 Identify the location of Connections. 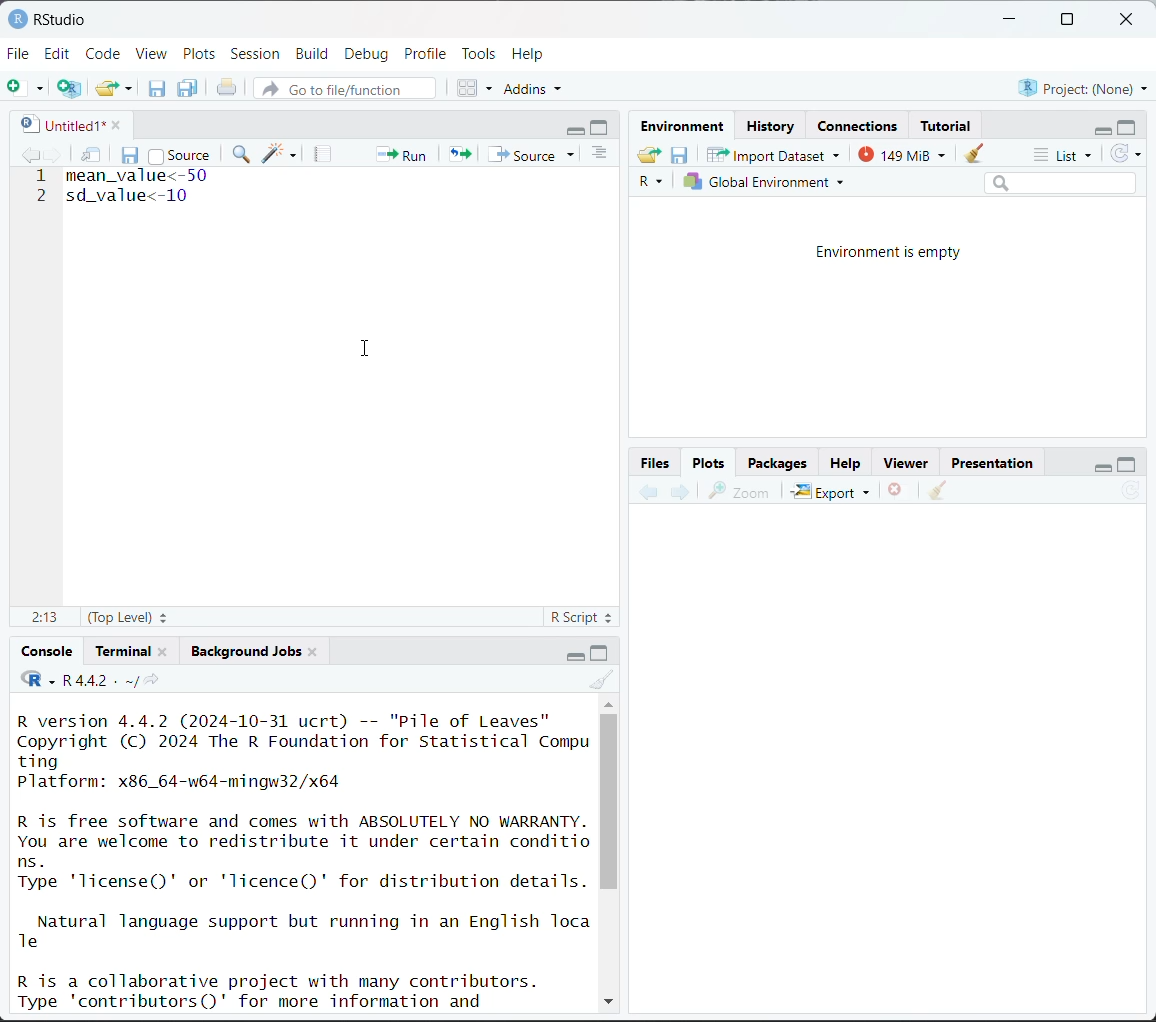
(860, 126).